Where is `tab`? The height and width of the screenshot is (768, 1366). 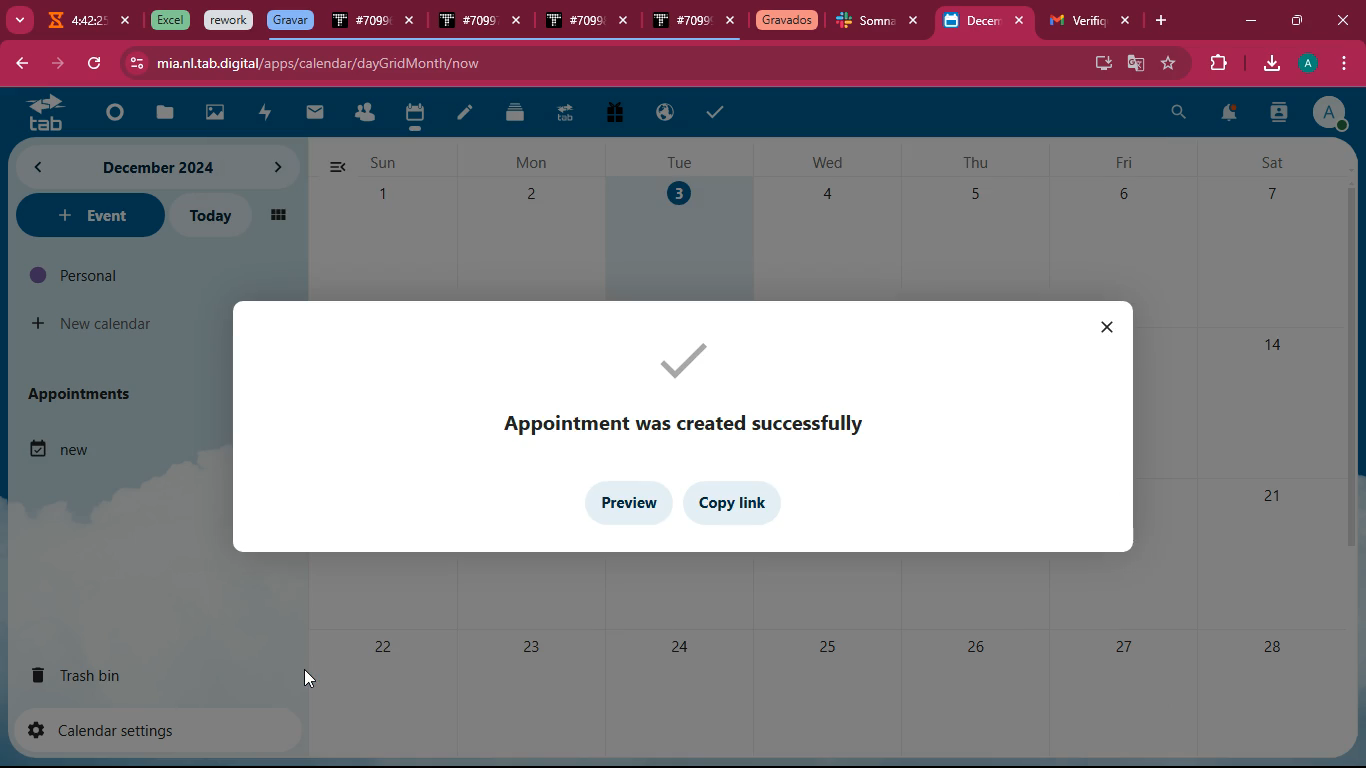
tab is located at coordinates (39, 112).